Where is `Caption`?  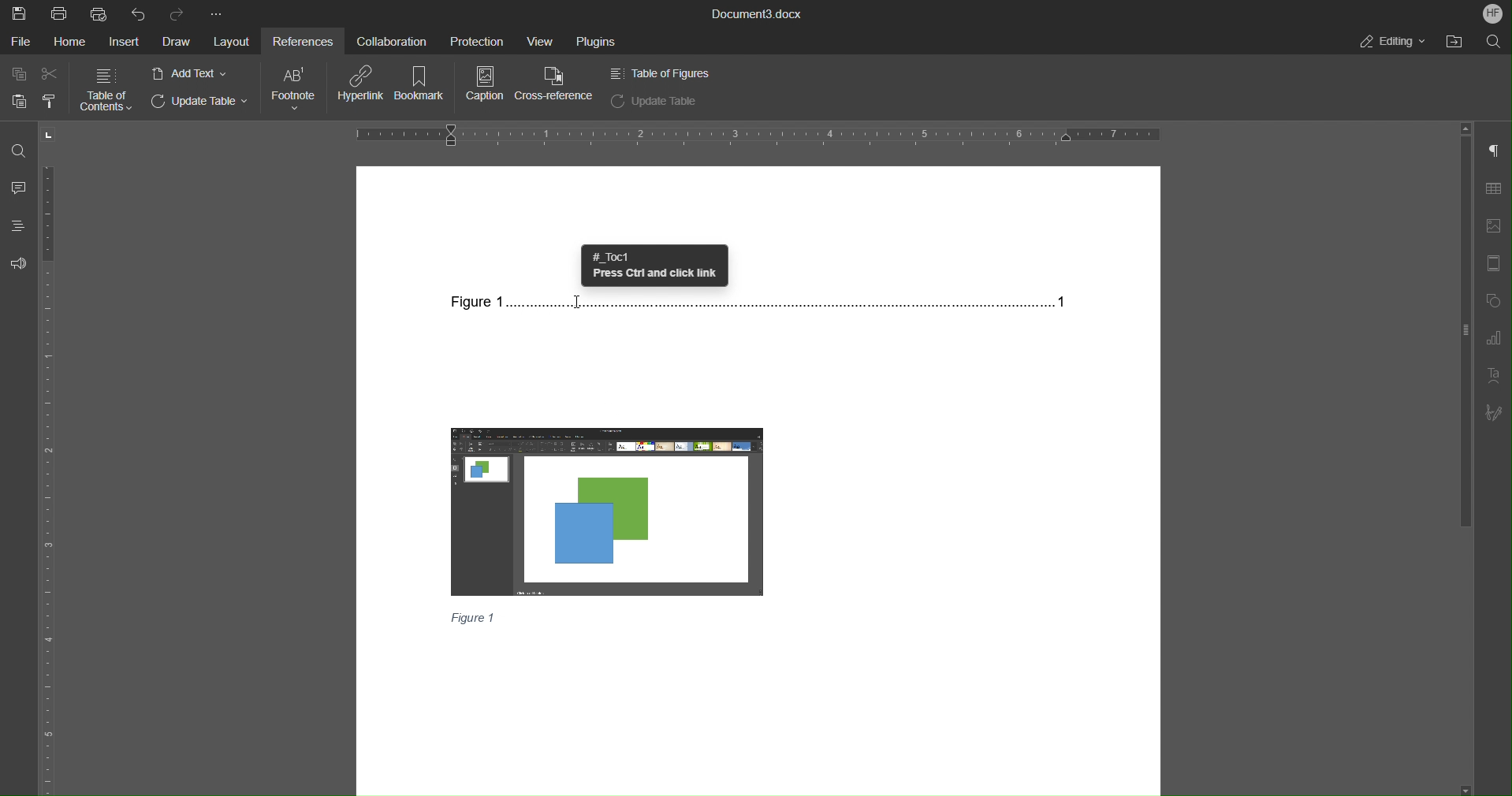 Caption is located at coordinates (483, 85).